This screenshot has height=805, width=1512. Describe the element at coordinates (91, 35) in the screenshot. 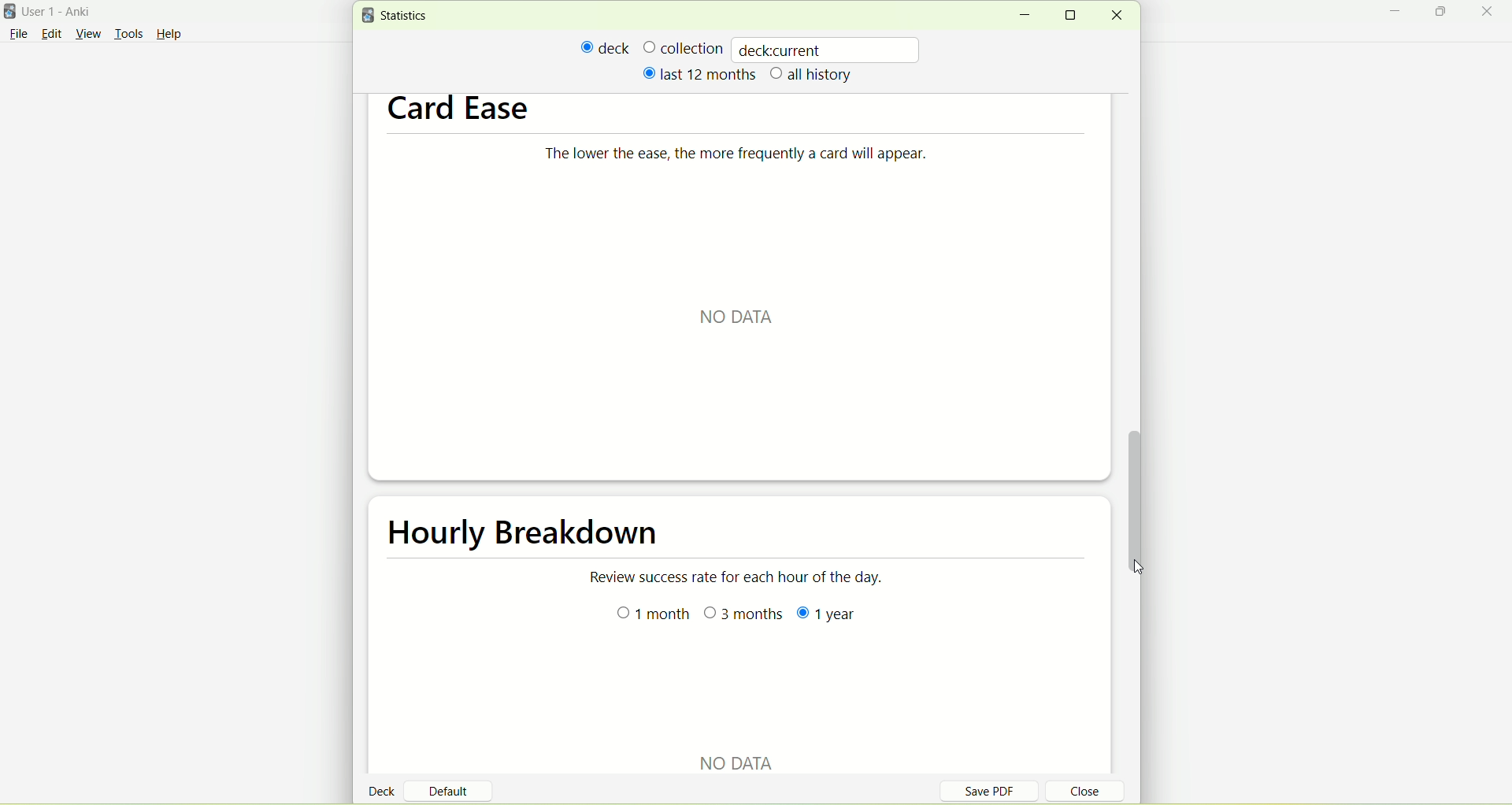

I see `view` at that location.